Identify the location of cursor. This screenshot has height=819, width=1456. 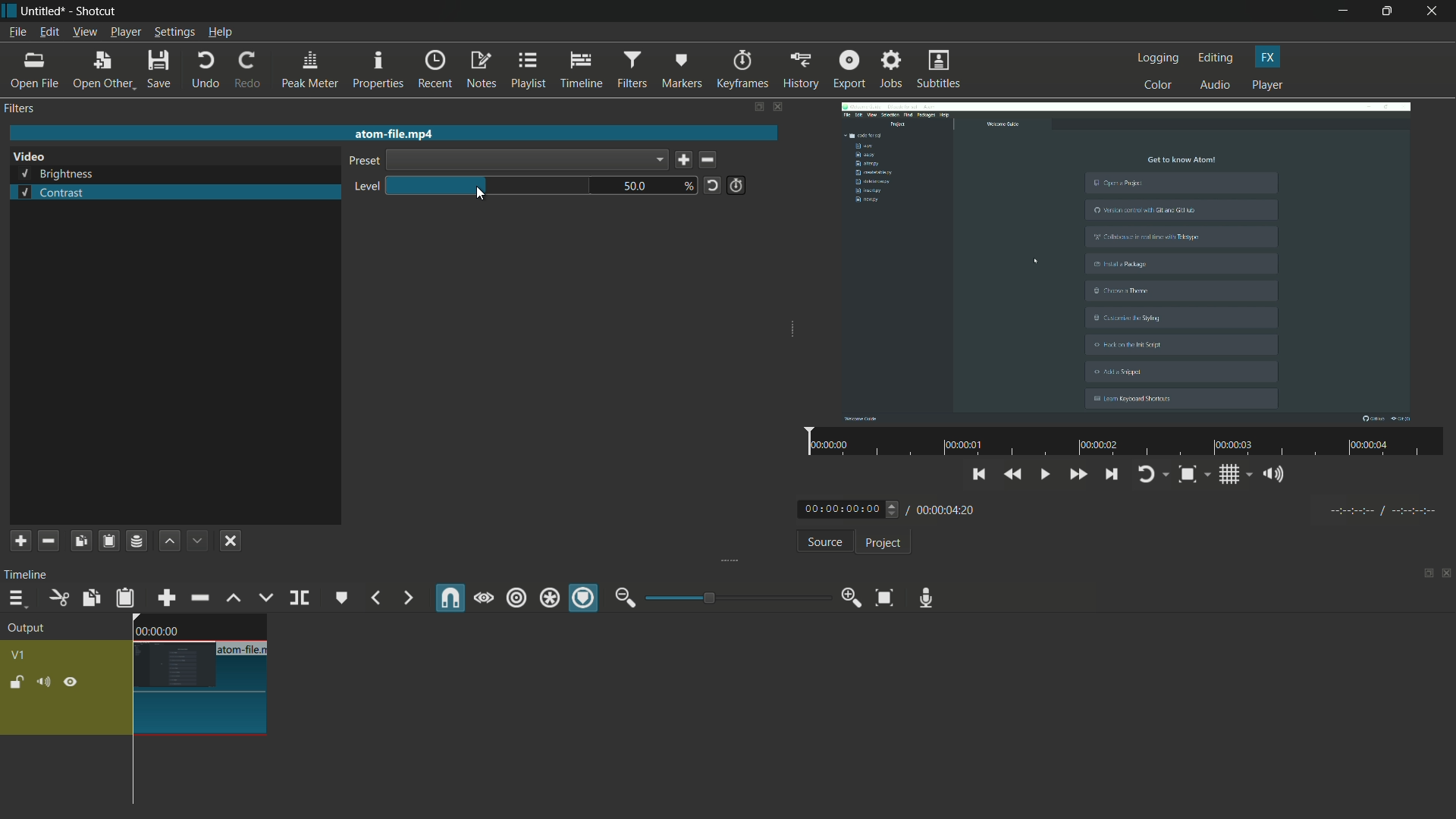
(479, 194).